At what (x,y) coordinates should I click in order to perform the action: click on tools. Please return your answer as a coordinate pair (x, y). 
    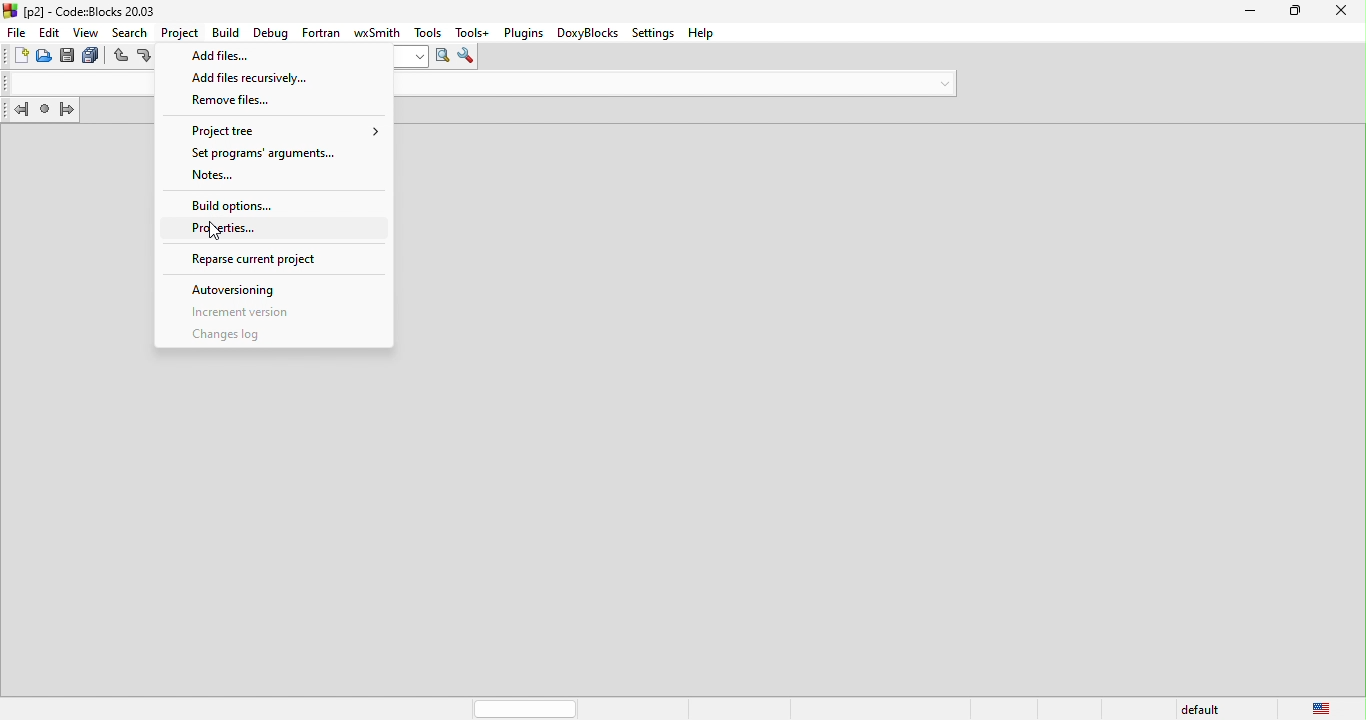
    Looking at the image, I should click on (425, 31).